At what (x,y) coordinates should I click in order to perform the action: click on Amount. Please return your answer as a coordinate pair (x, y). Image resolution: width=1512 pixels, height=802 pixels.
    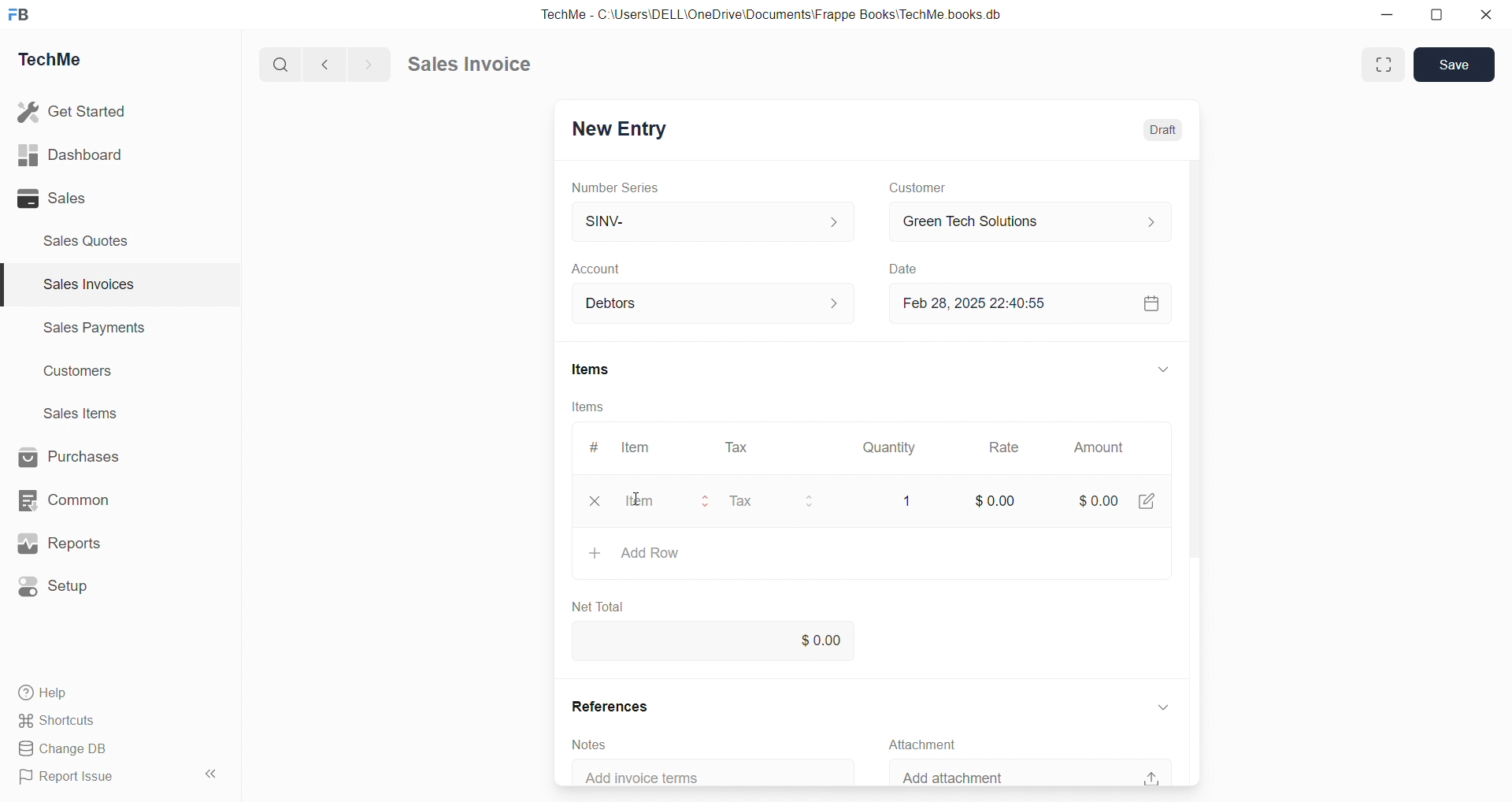
    Looking at the image, I should click on (1099, 447).